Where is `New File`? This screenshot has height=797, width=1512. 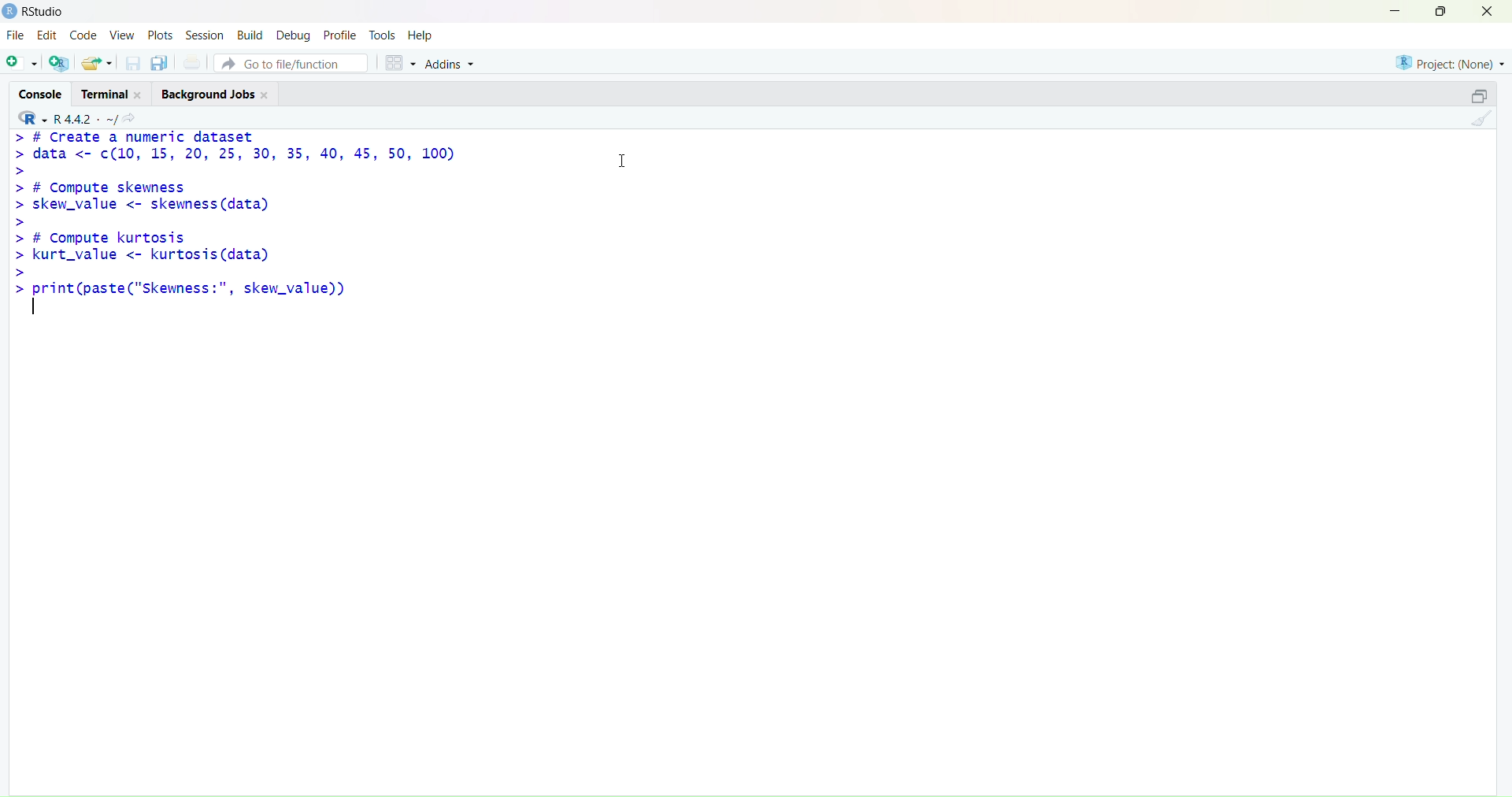
New File is located at coordinates (20, 62).